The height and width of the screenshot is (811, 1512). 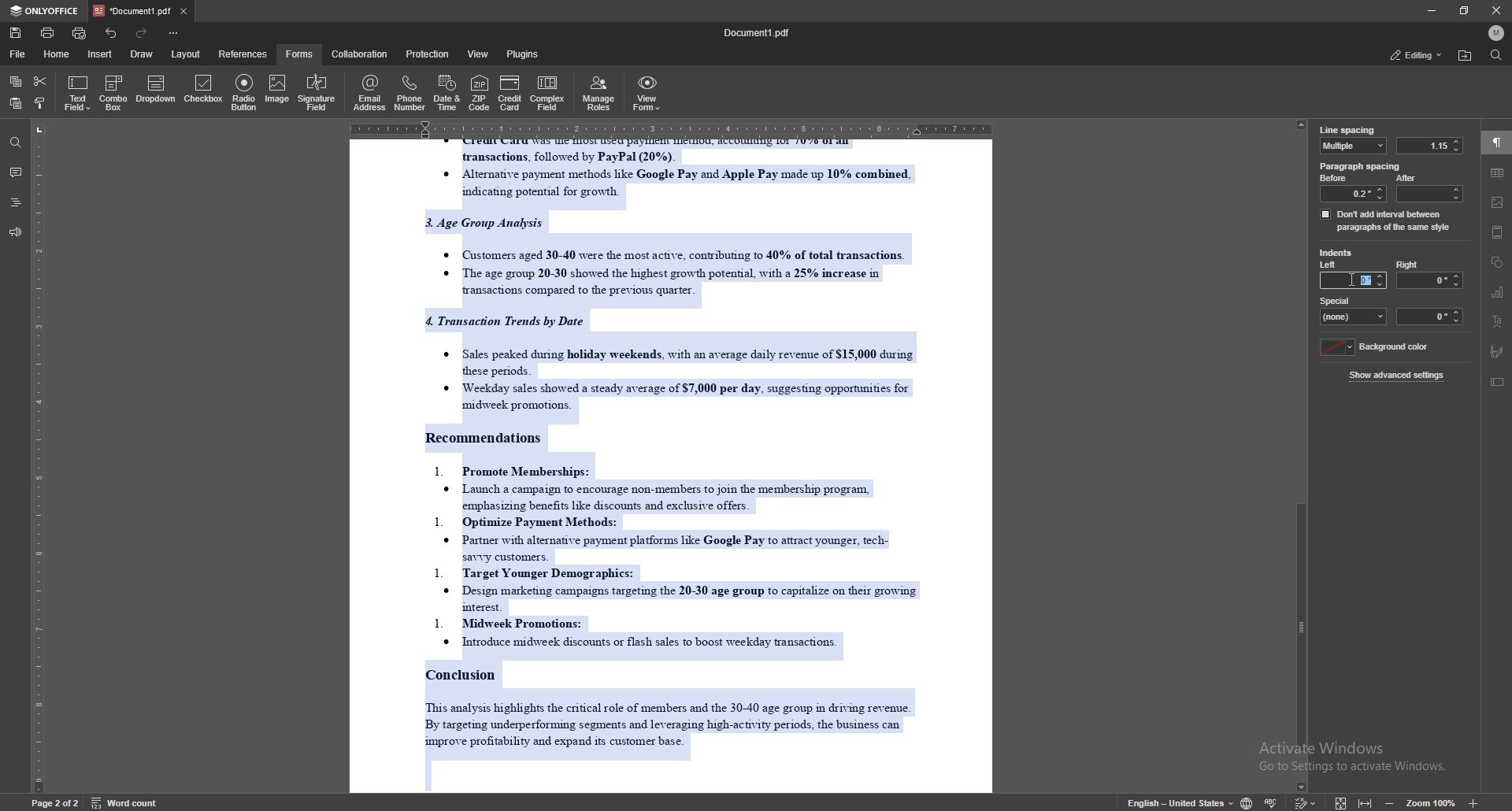 I want to click on line spacing, so click(x=1347, y=130).